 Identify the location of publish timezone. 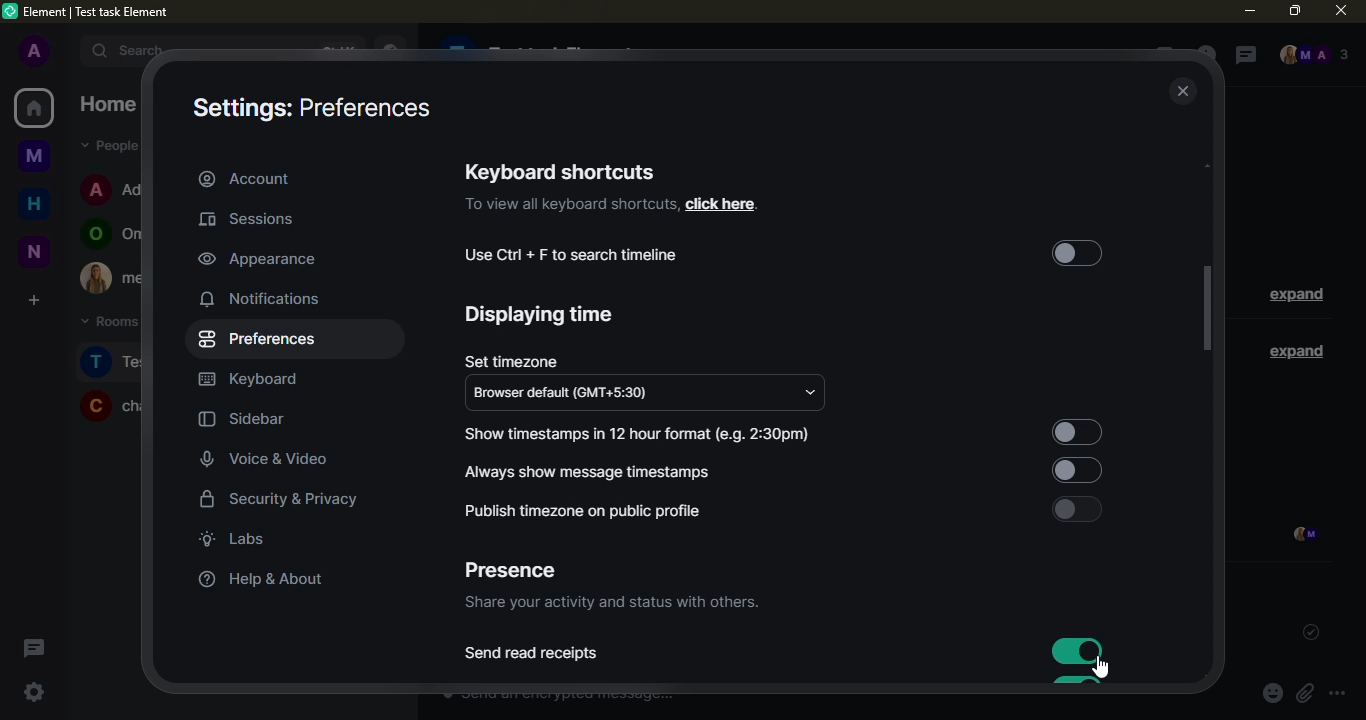
(580, 511).